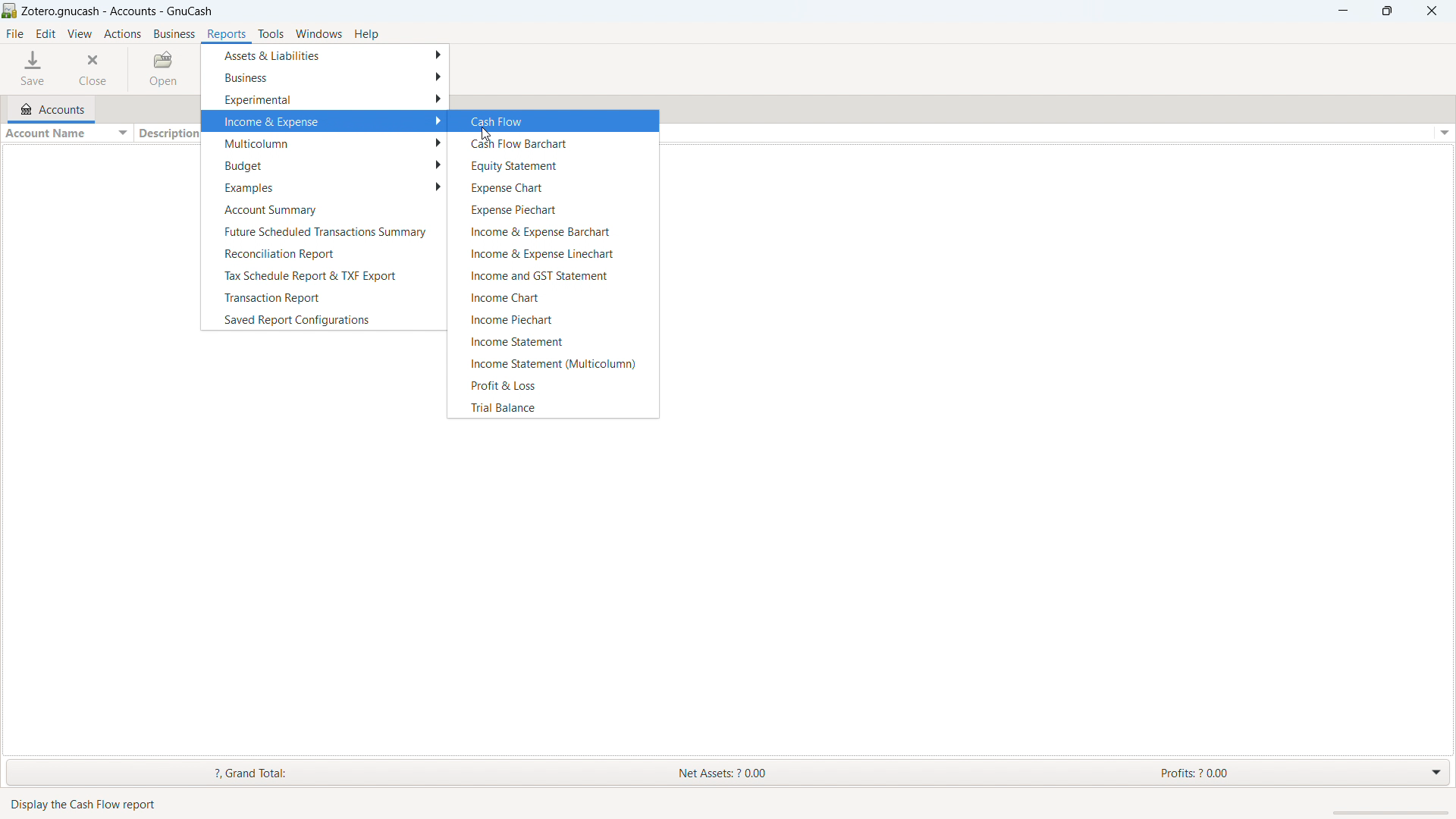 This screenshot has width=1456, height=819. What do you see at coordinates (50, 108) in the screenshot?
I see `accounts tab` at bounding box center [50, 108].